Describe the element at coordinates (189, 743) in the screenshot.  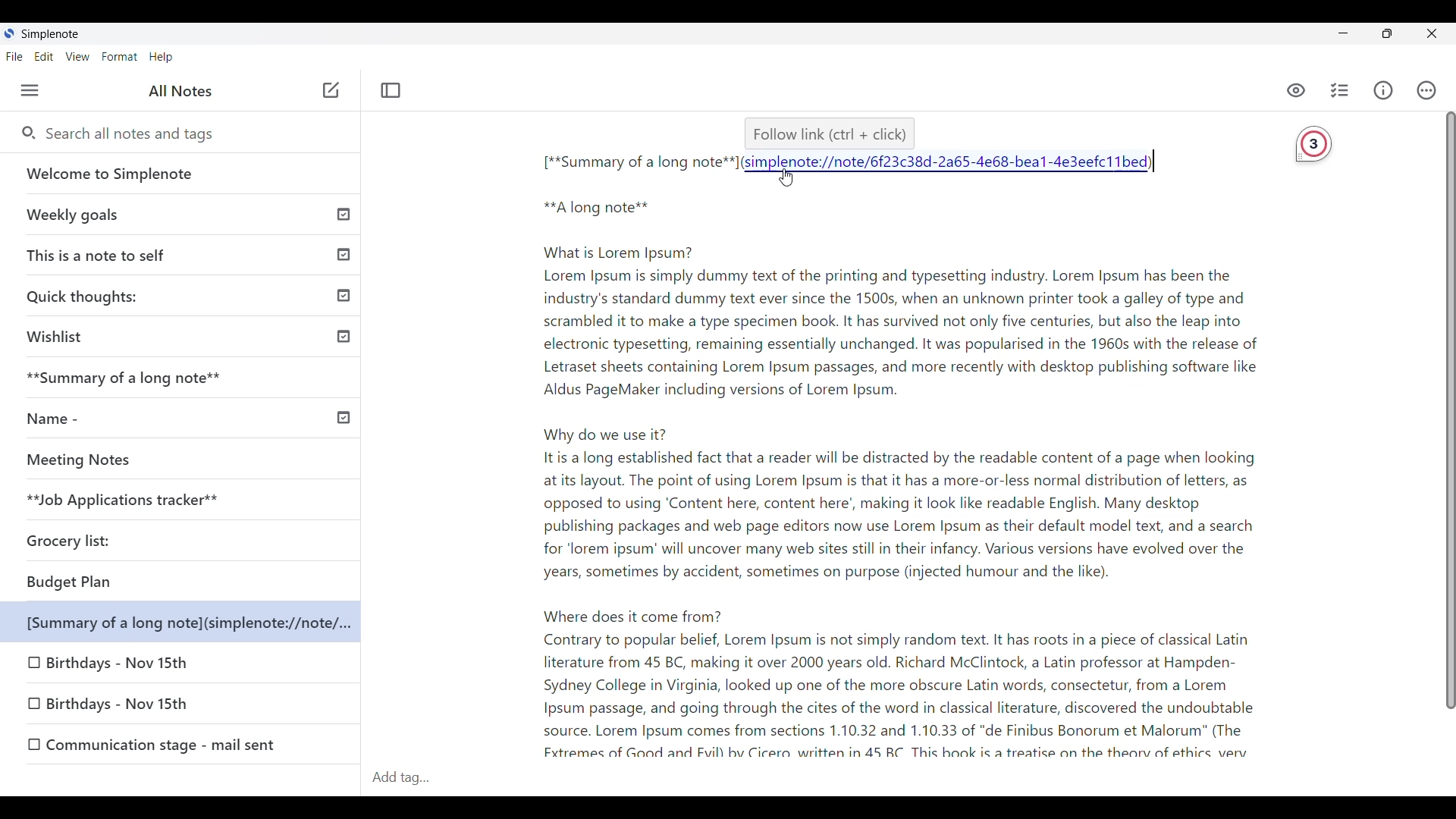
I see `Communication stage - mail sent` at that location.